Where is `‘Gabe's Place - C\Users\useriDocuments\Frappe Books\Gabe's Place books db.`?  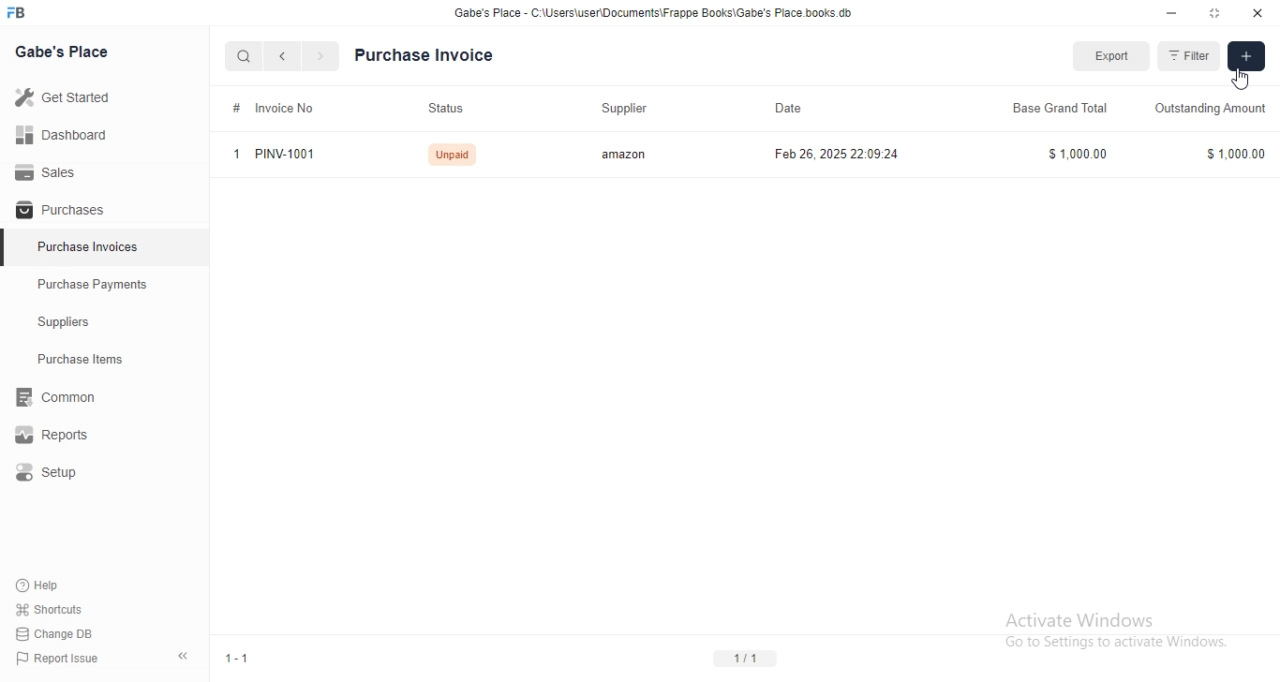 ‘Gabe's Place - C\Users\useriDocuments\Frappe Books\Gabe's Place books db. is located at coordinates (653, 12).